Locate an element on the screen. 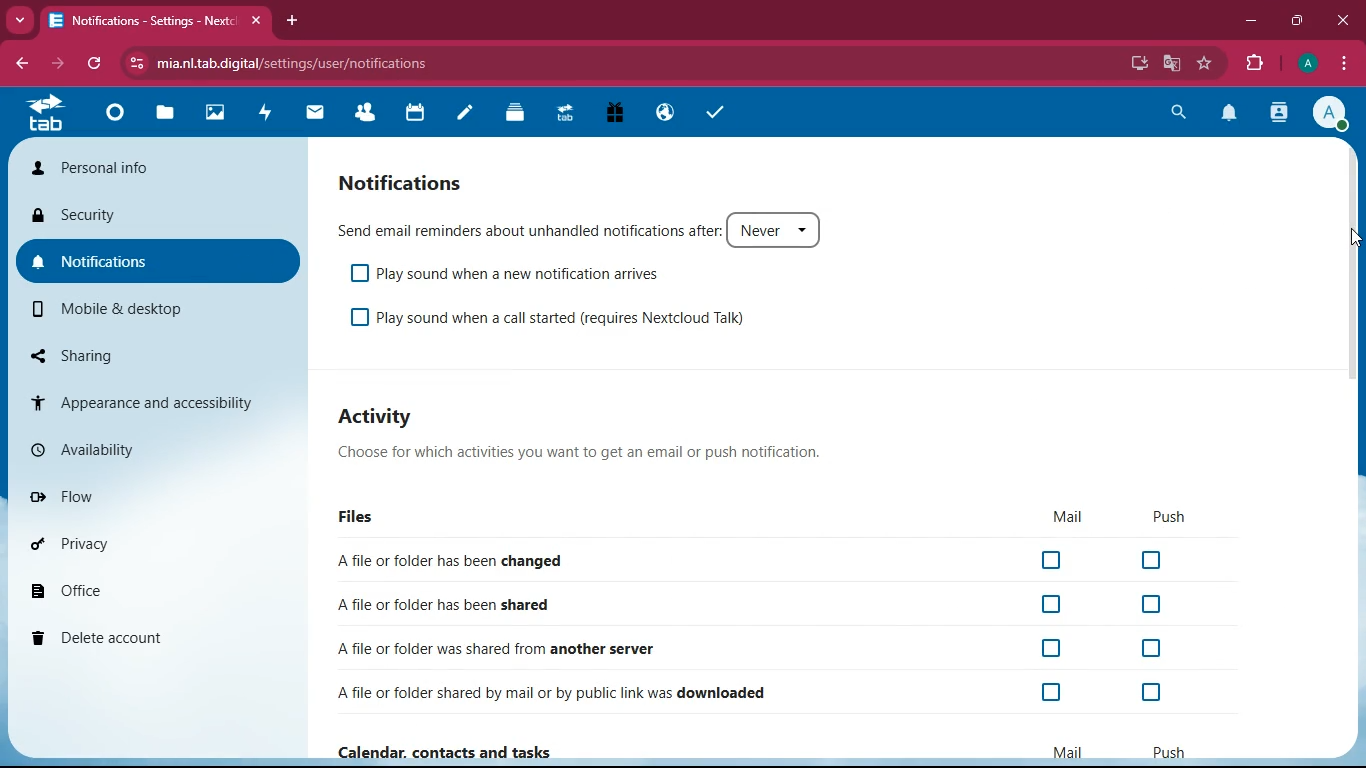 This screenshot has width=1366, height=768. appearance and accessibility is located at coordinates (156, 403).